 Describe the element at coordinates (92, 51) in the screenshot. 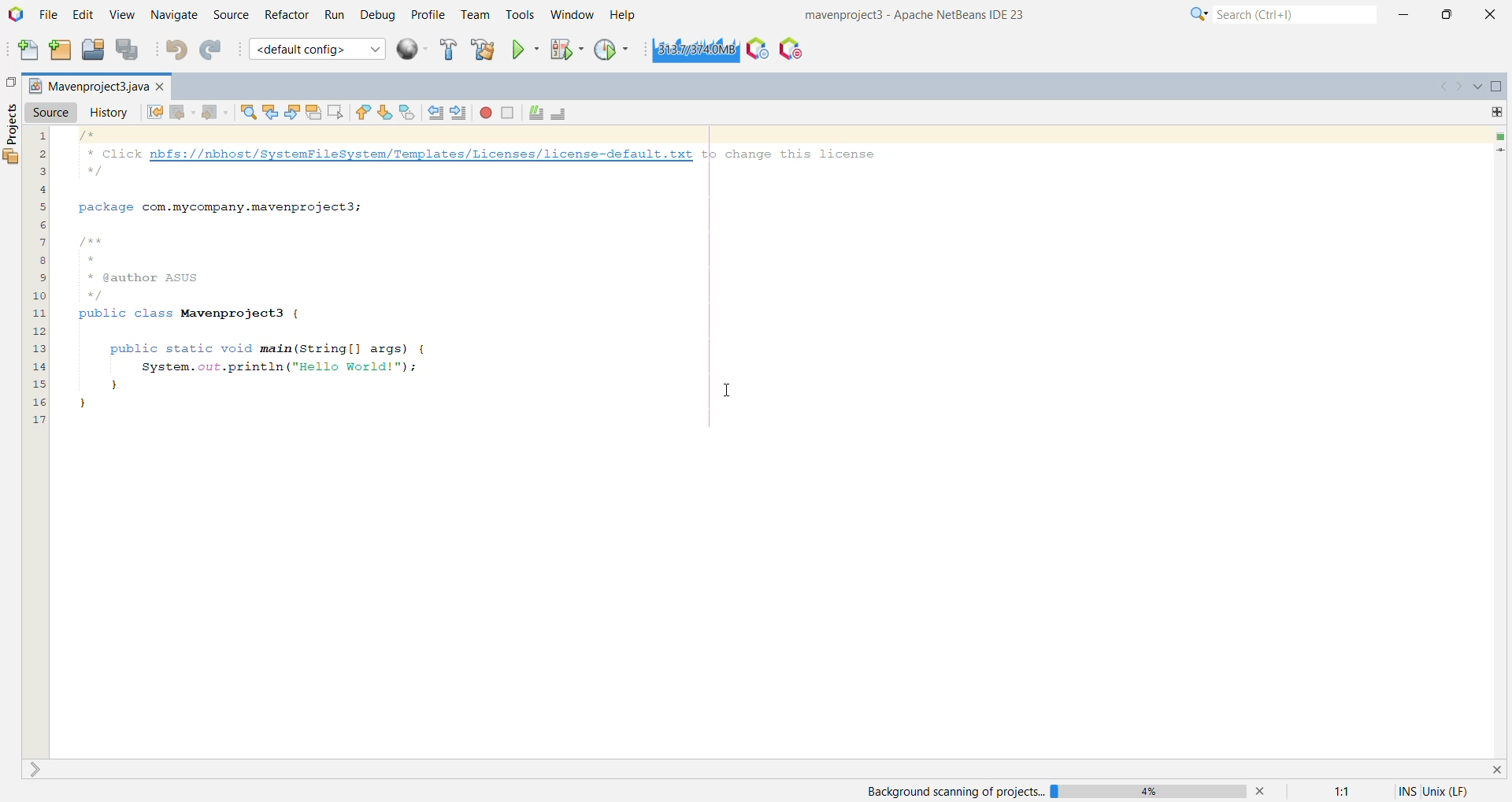

I see `Open Project` at that location.